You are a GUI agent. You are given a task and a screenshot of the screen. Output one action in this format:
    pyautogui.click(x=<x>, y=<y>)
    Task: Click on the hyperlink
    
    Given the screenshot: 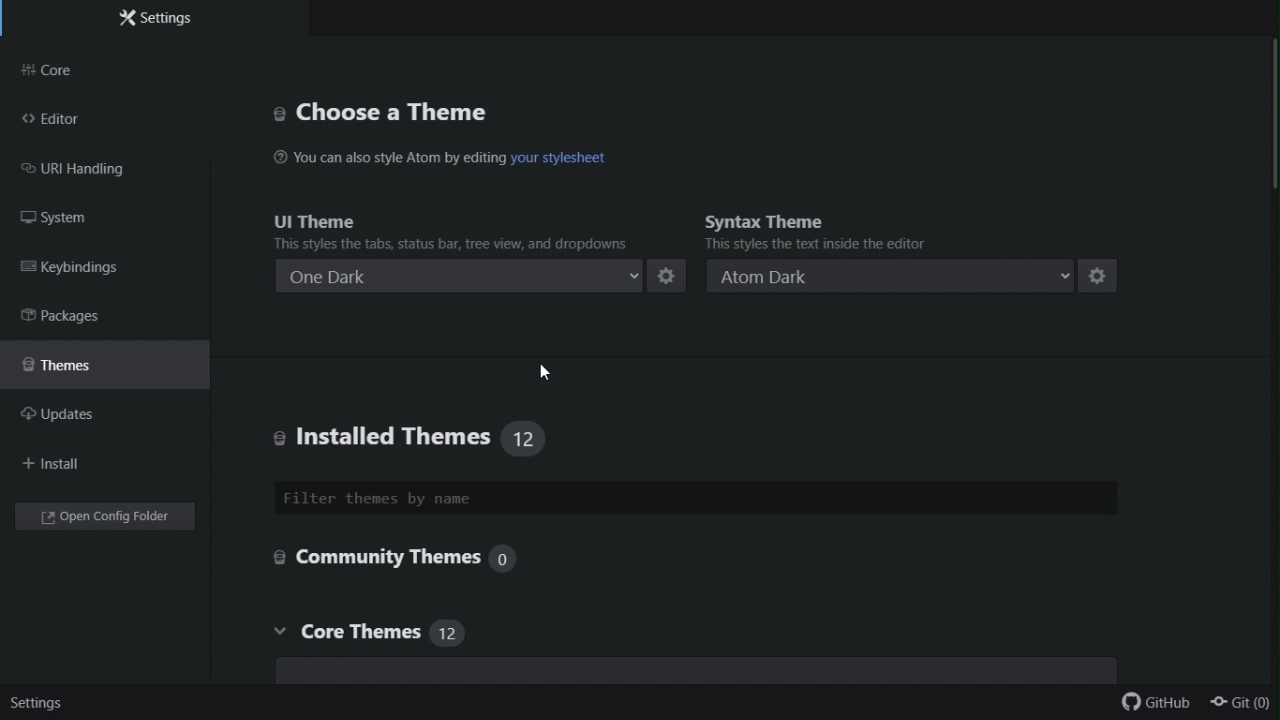 What is the action you would take?
    pyautogui.click(x=563, y=158)
    